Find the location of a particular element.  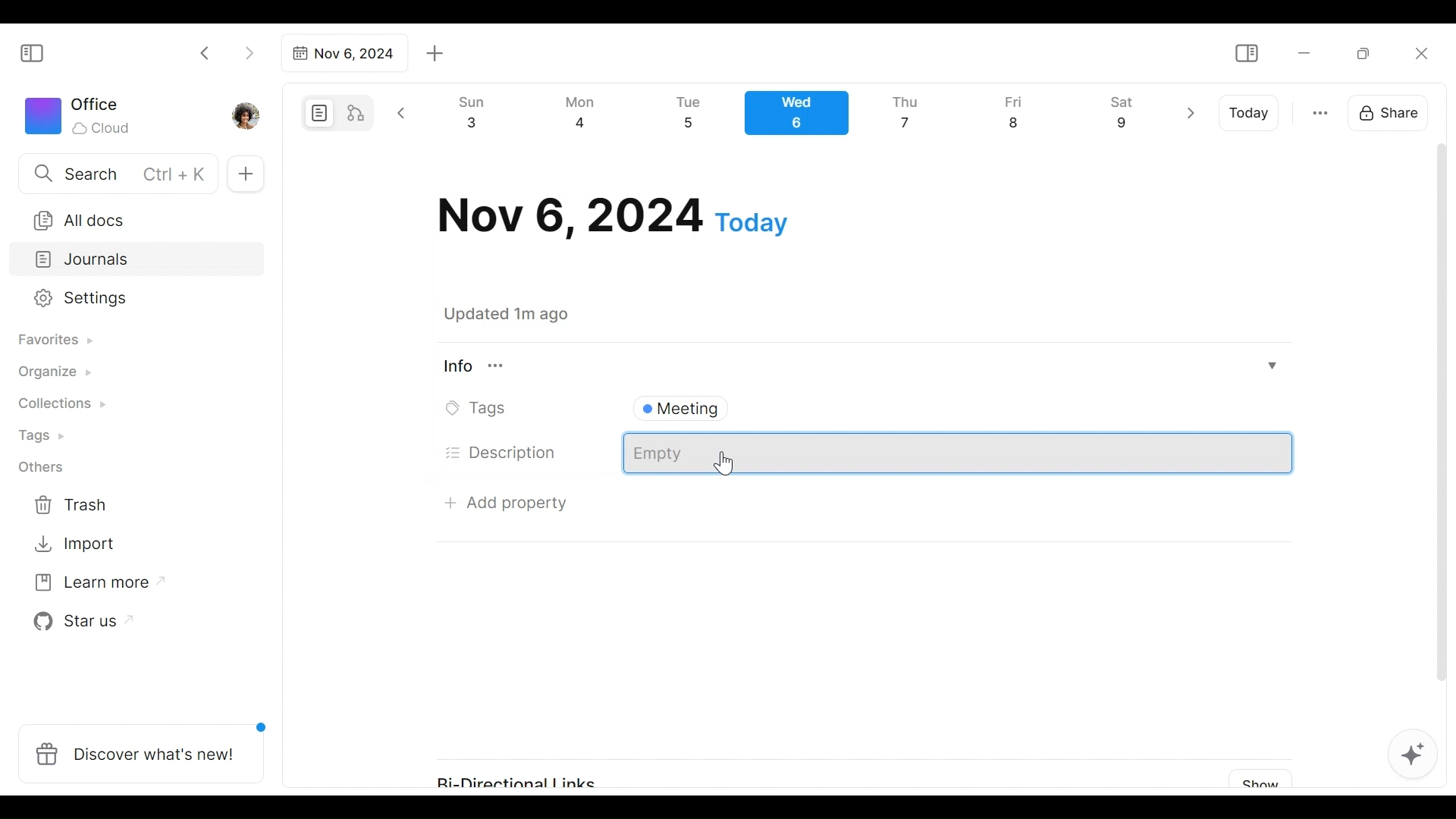

Description is located at coordinates (502, 453).